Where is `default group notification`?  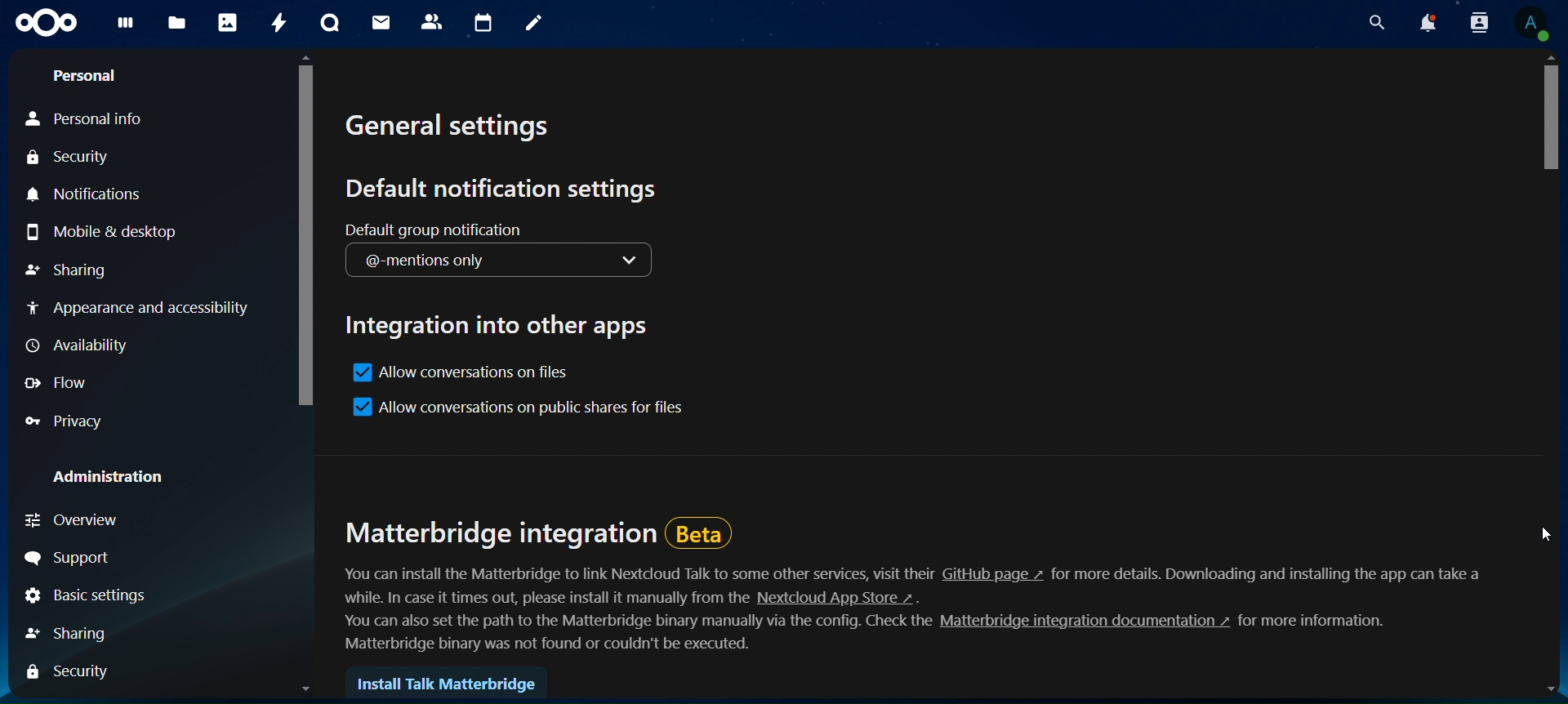 default group notification is located at coordinates (492, 229).